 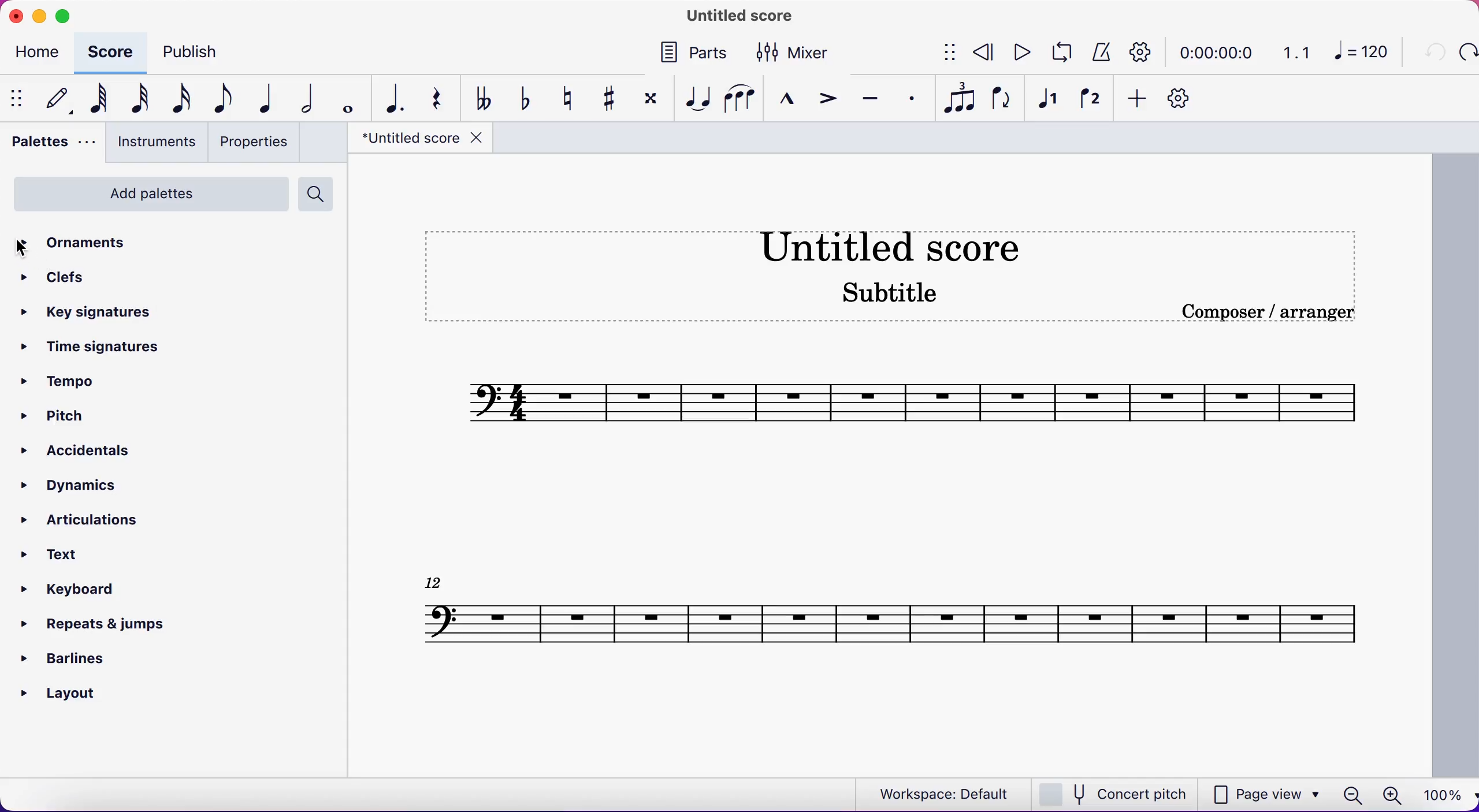 What do you see at coordinates (1281, 312) in the screenshot?
I see `Composer / arranger` at bounding box center [1281, 312].